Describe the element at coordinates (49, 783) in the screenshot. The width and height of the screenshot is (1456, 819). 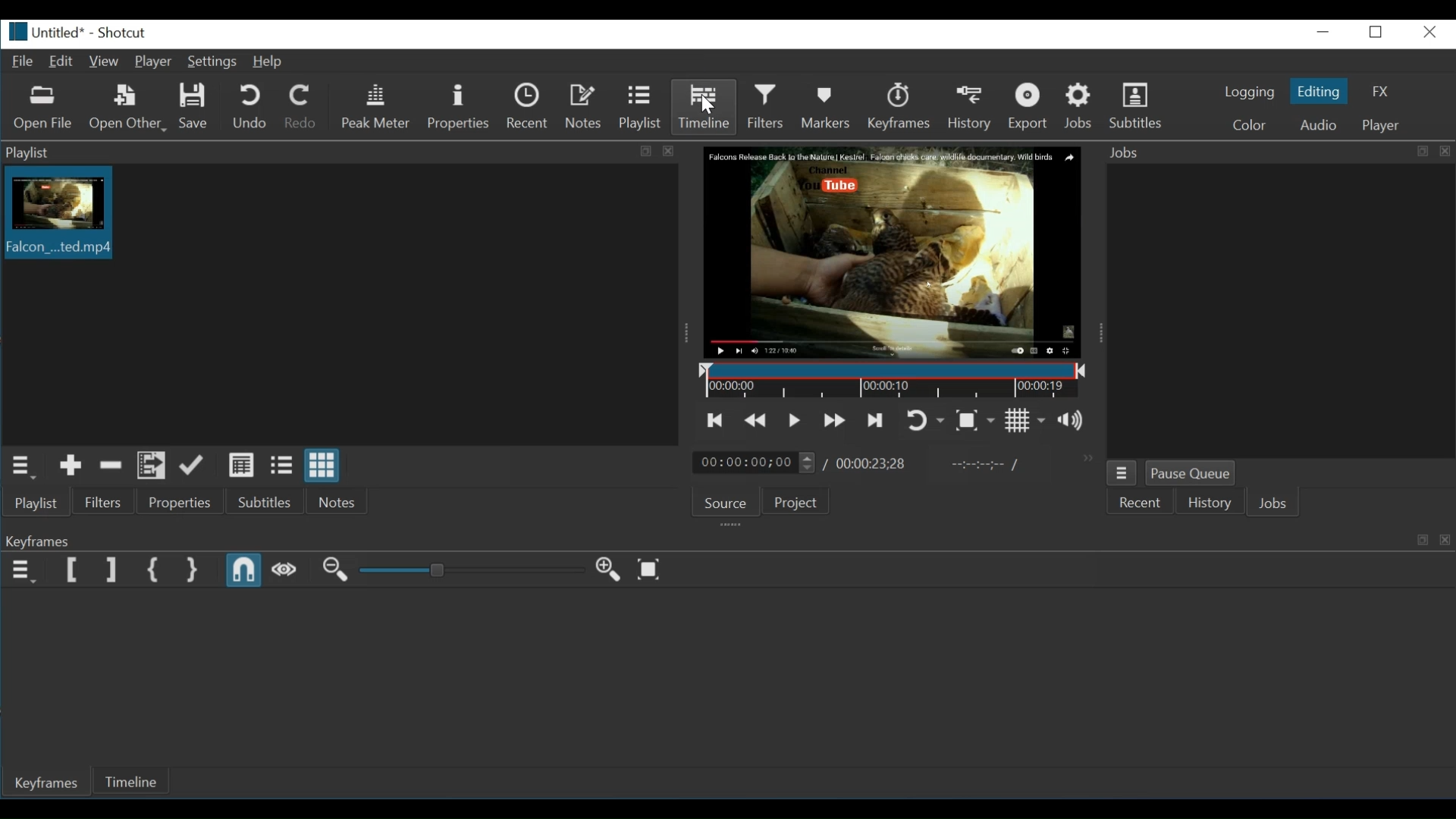
I see `Keyframe` at that location.